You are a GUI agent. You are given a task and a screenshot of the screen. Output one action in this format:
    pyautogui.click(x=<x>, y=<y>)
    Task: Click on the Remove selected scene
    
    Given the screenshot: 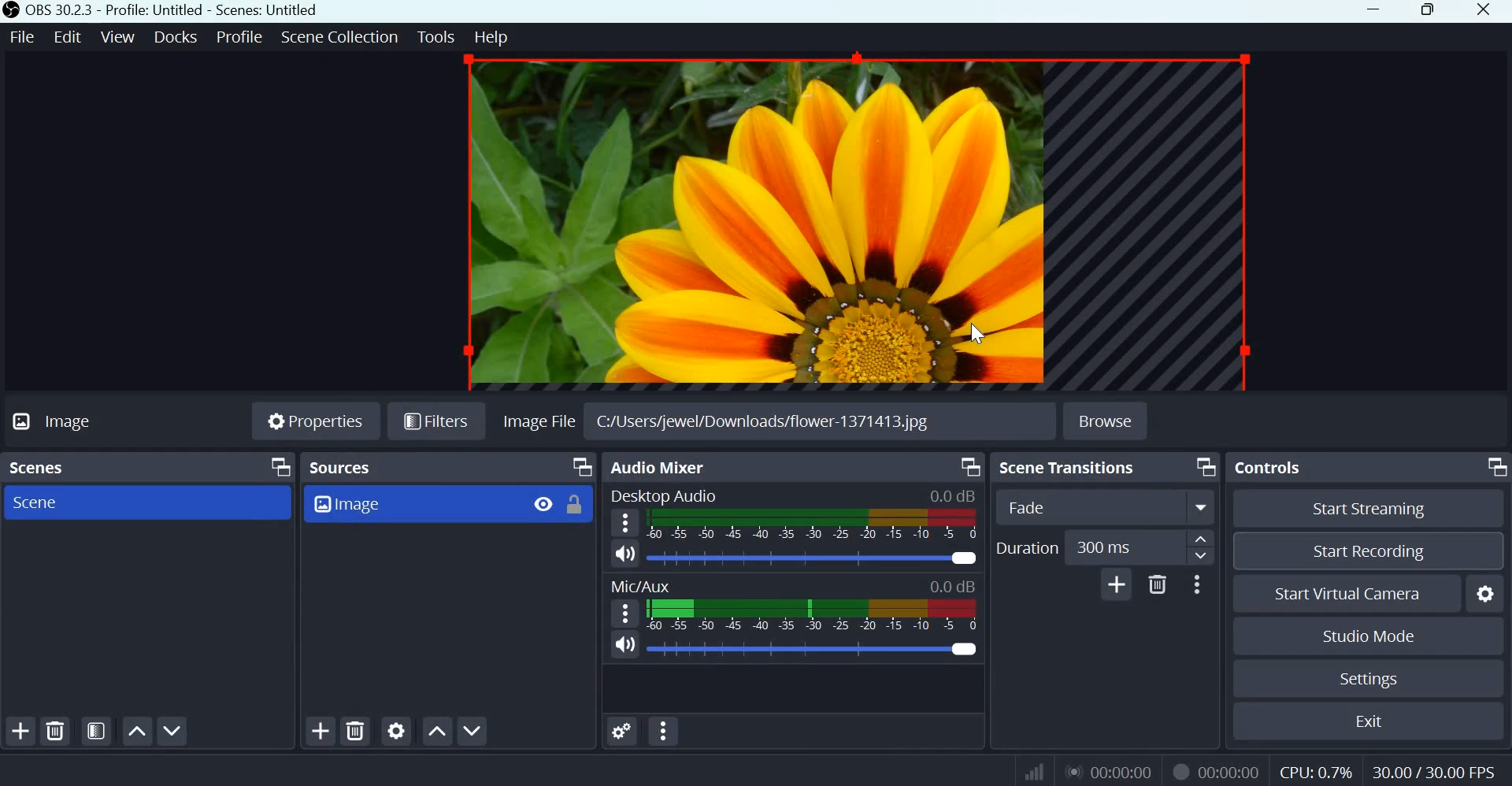 What is the action you would take?
    pyautogui.click(x=57, y=730)
    